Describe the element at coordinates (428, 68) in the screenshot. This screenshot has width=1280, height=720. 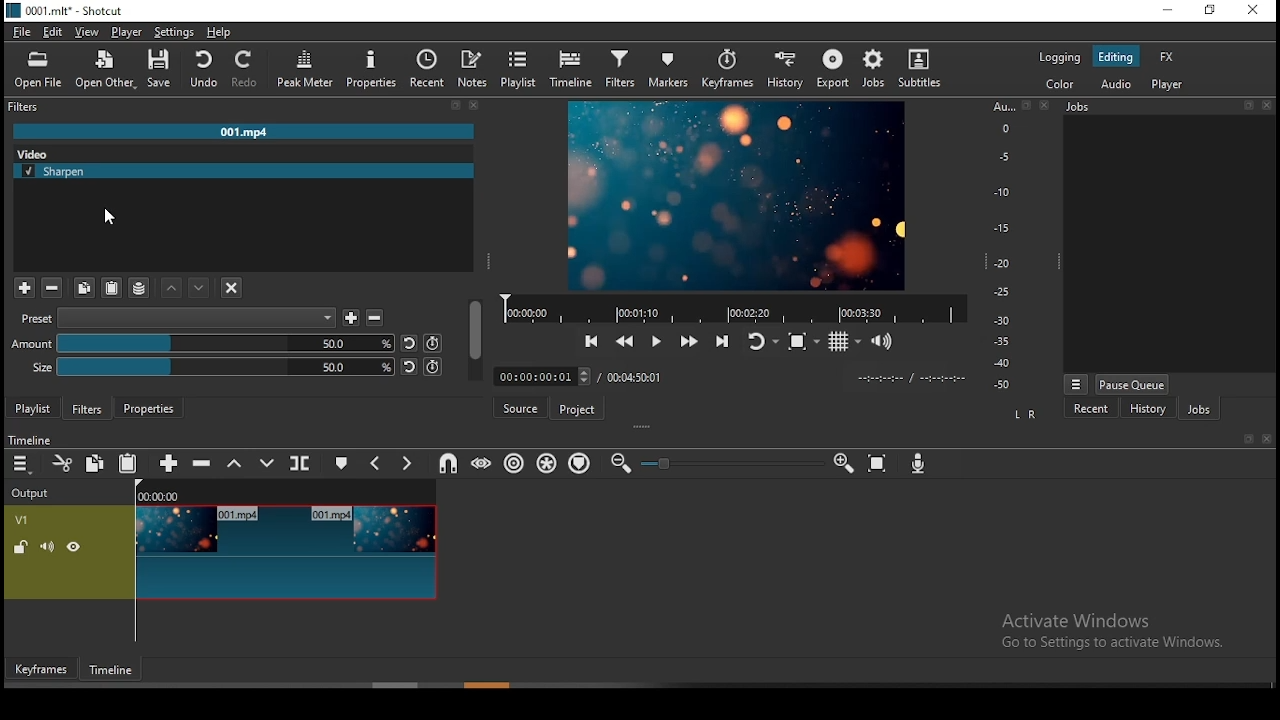
I see `recent` at that location.